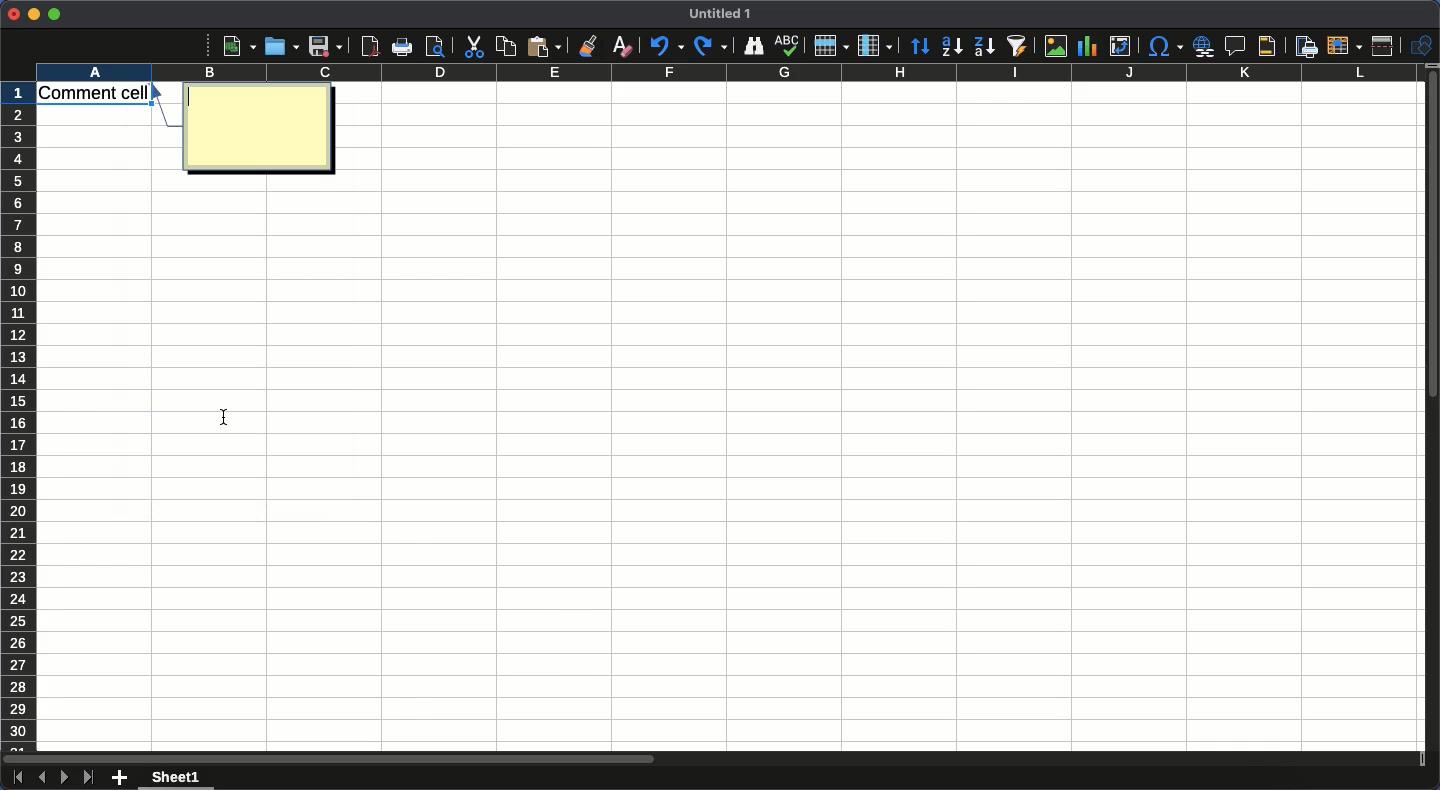 The height and width of the screenshot is (790, 1440). What do you see at coordinates (402, 46) in the screenshot?
I see `Print` at bounding box center [402, 46].